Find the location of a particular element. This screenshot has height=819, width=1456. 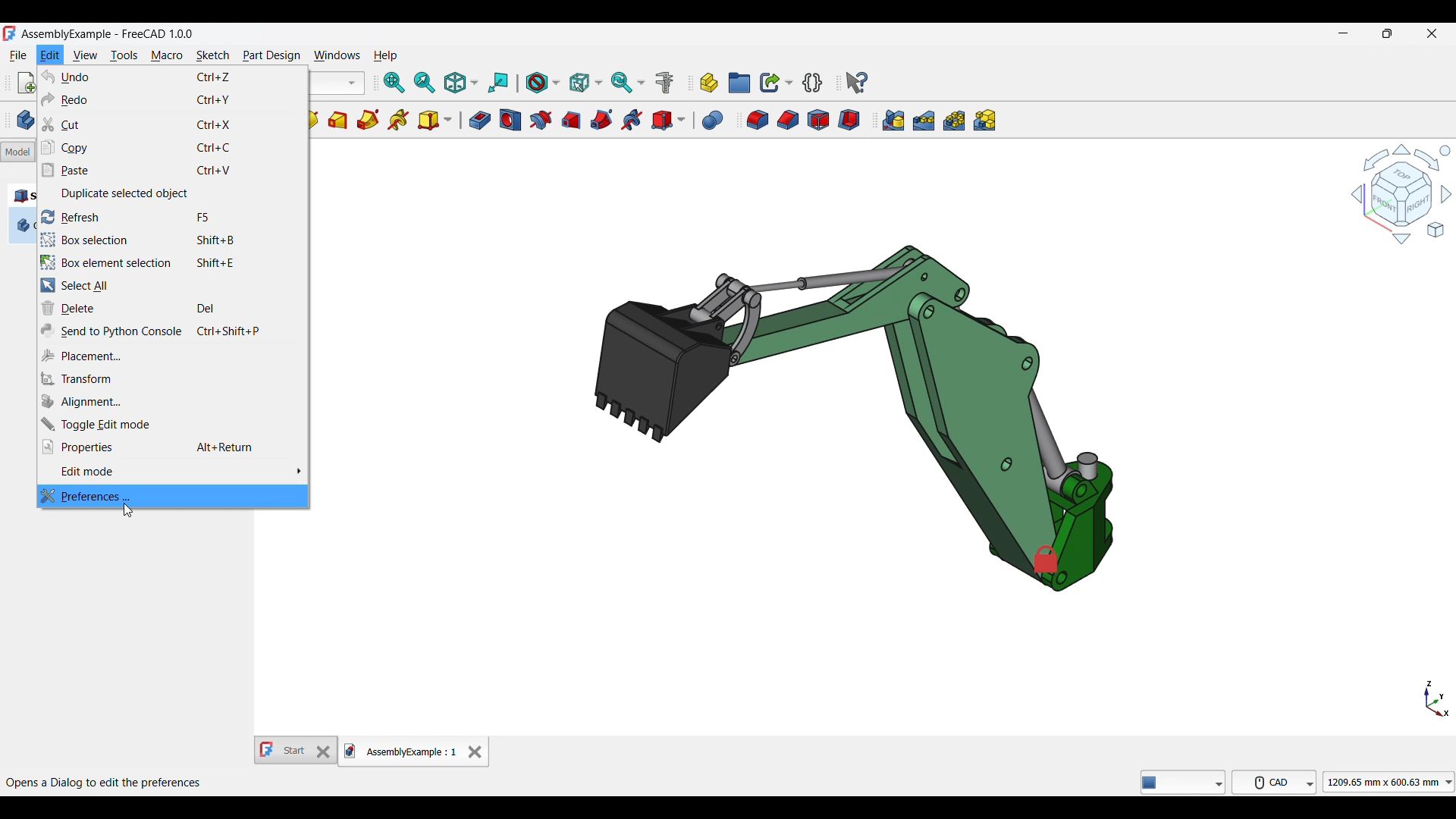

Subtractive helix is located at coordinates (632, 121).